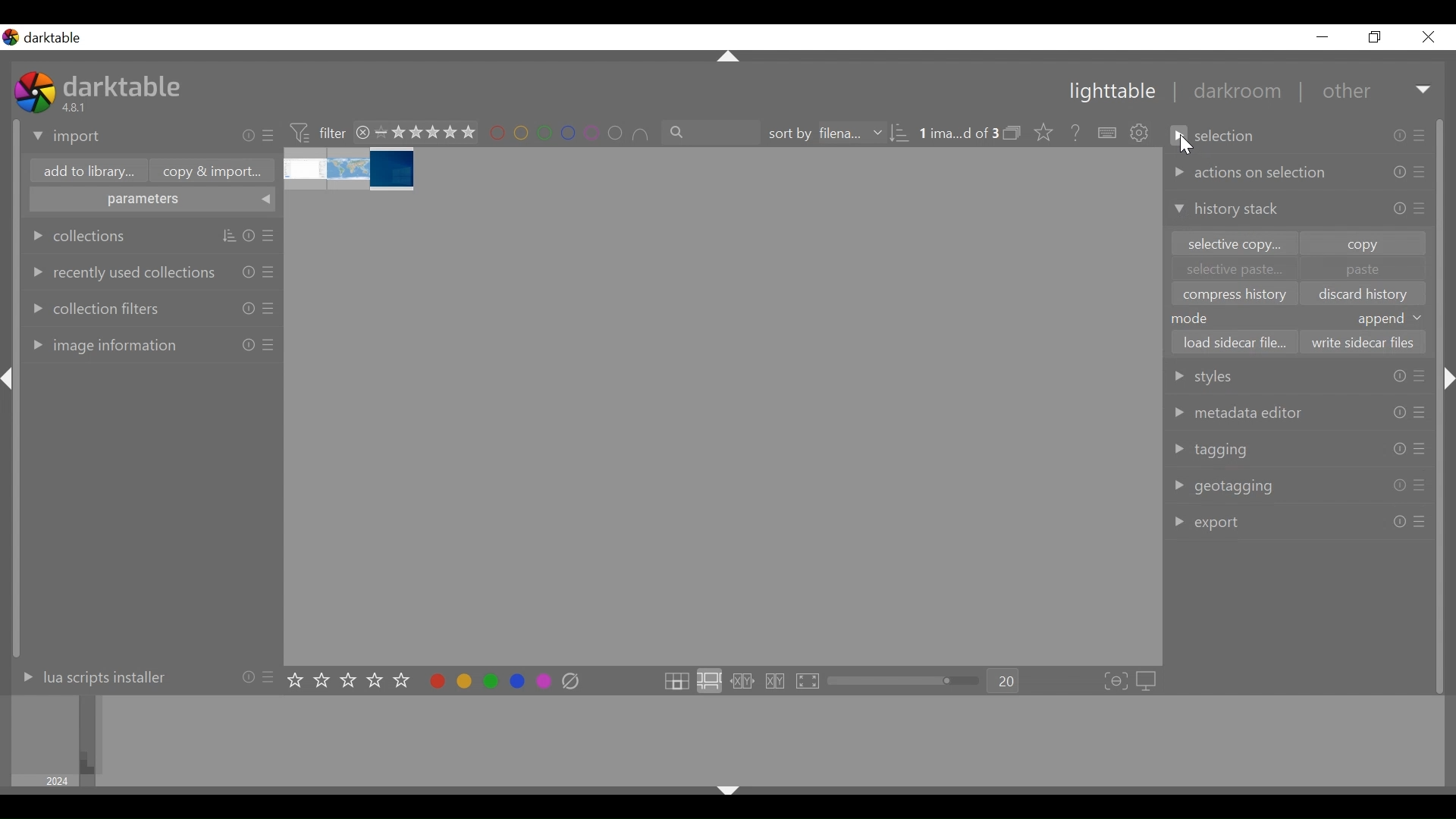 The width and height of the screenshot is (1456, 819). What do you see at coordinates (1040, 131) in the screenshot?
I see `click to change the type of overlays` at bounding box center [1040, 131].